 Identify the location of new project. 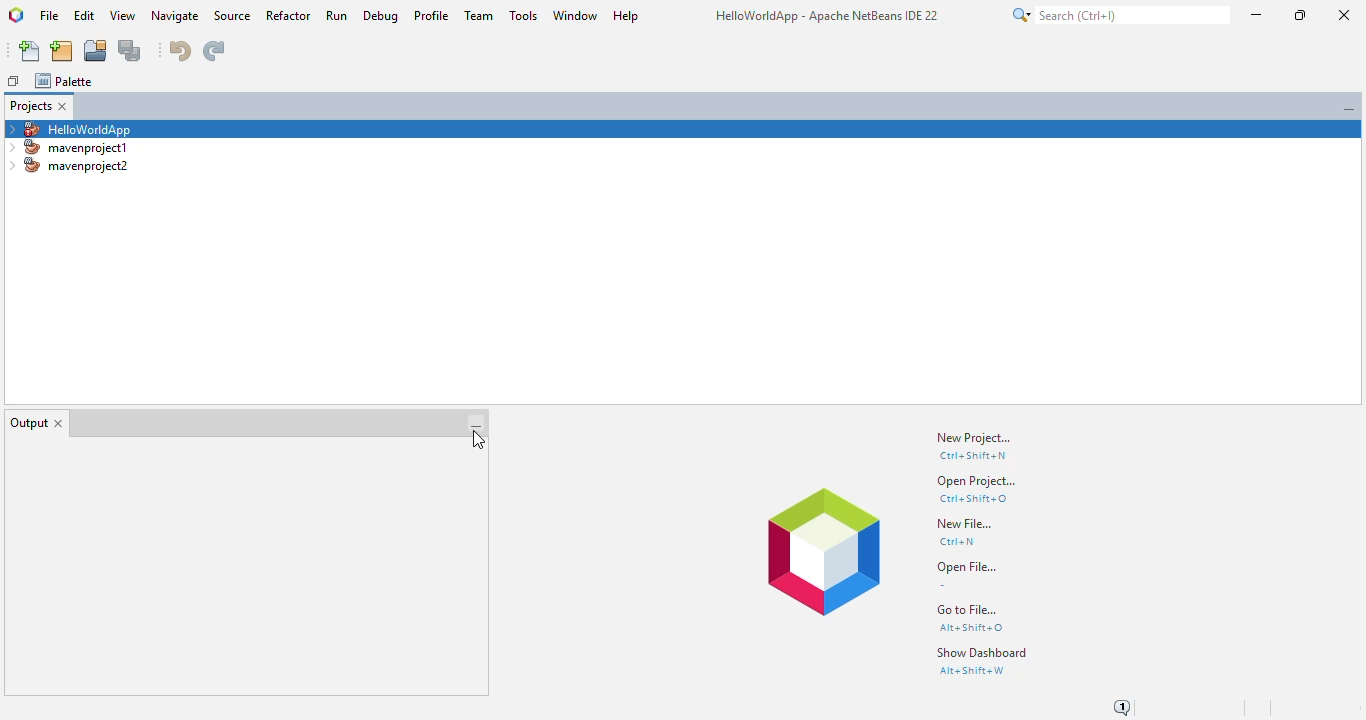
(61, 51).